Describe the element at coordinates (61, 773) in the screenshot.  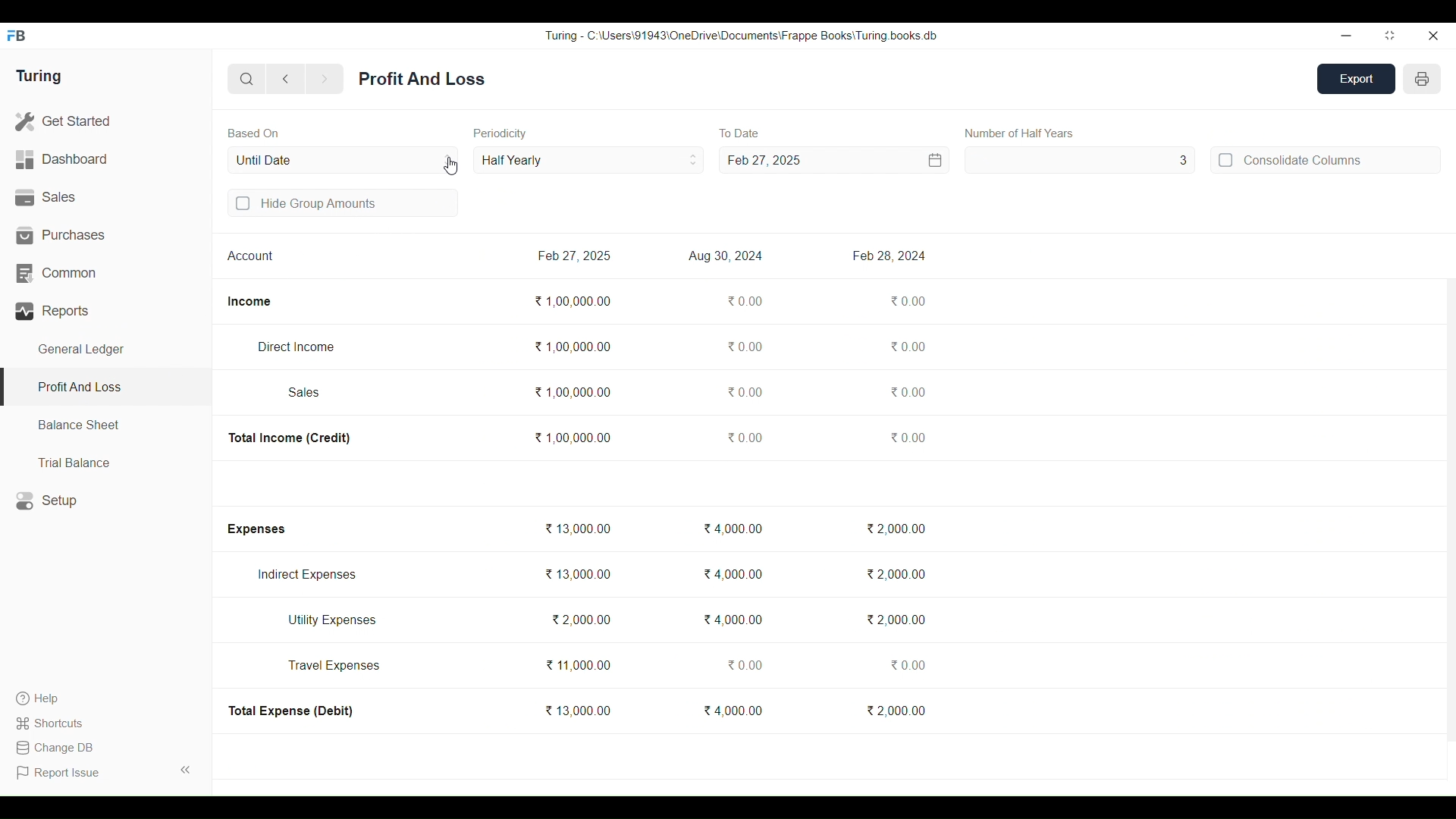
I see `Report Issue` at that location.